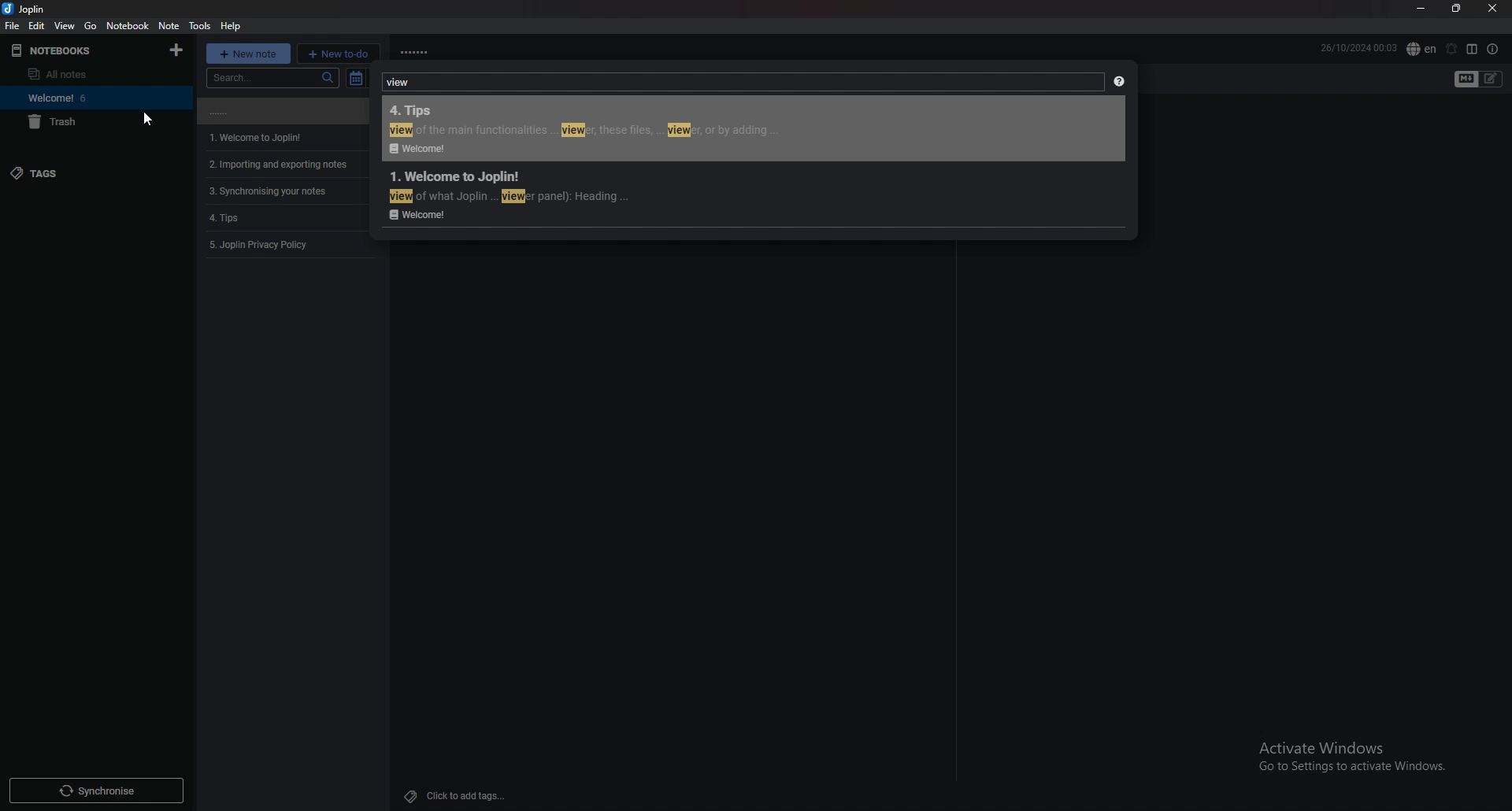 The image size is (1512, 811). What do you see at coordinates (49, 97) in the screenshot?
I see `welcome` at bounding box center [49, 97].